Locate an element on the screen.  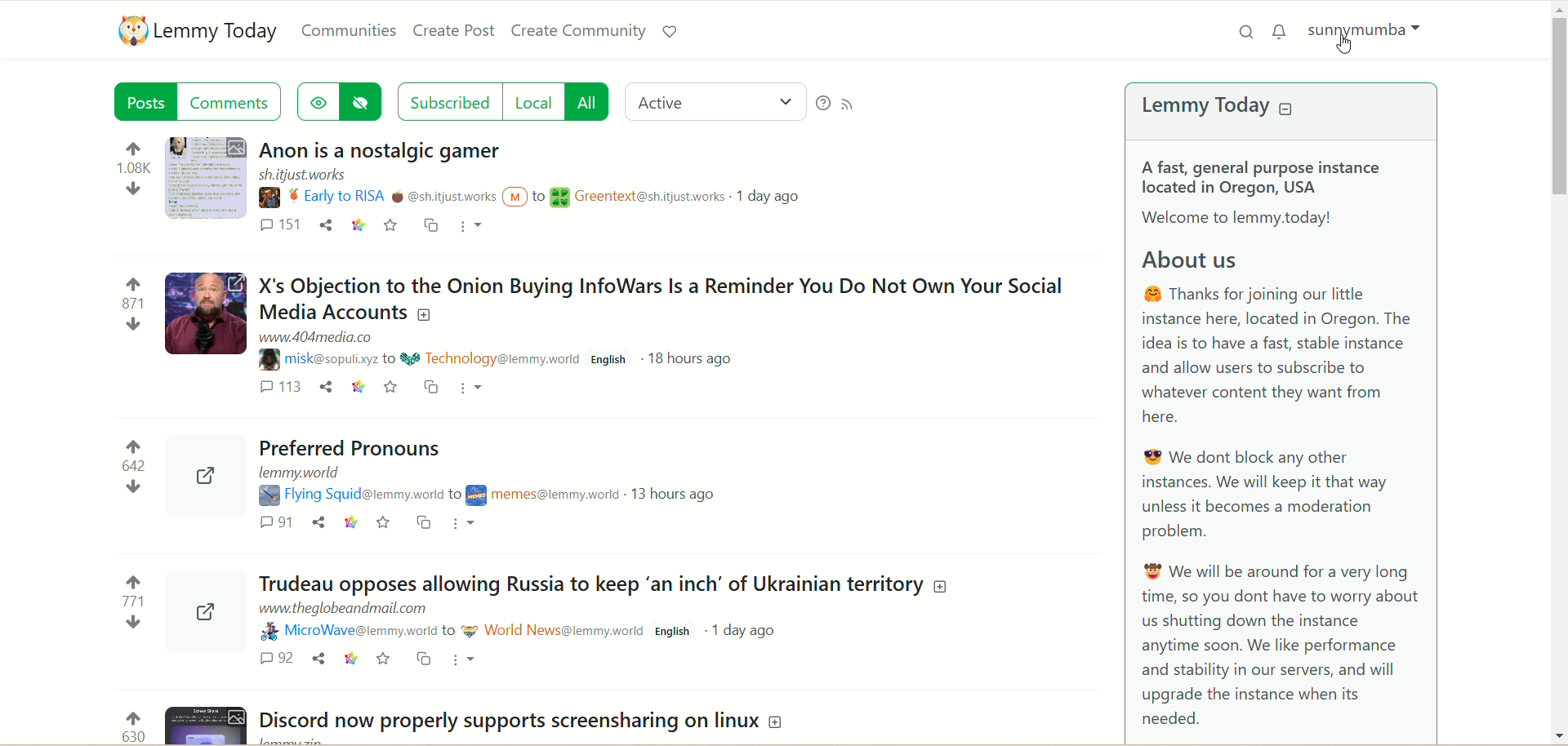
1 day ago is located at coordinates (749, 630).